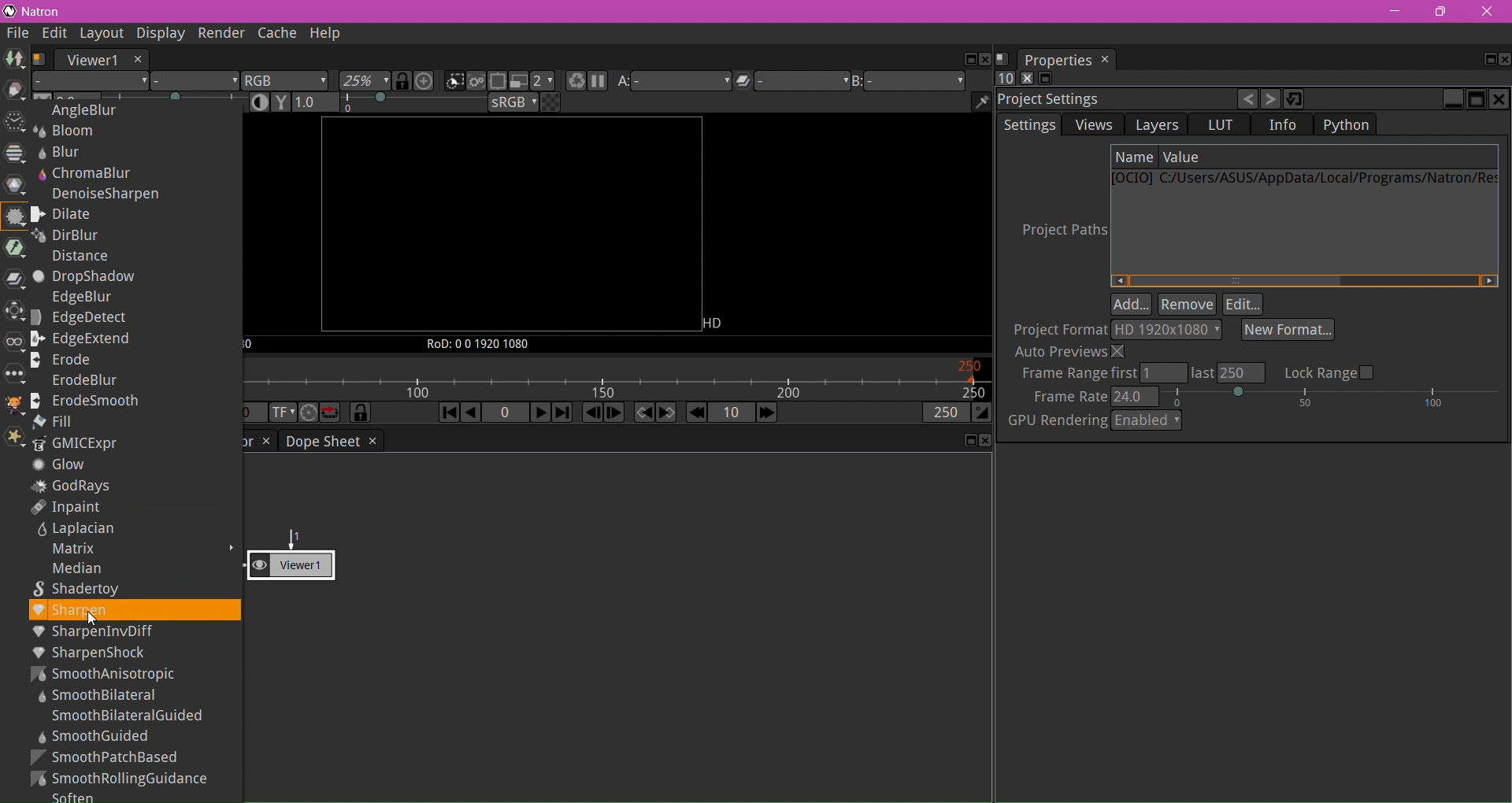 This screenshot has width=1512, height=803. Describe the element at coordinates (1305, 280) in the screenshot. I see `Horizontal Scroll Bar` at that location.